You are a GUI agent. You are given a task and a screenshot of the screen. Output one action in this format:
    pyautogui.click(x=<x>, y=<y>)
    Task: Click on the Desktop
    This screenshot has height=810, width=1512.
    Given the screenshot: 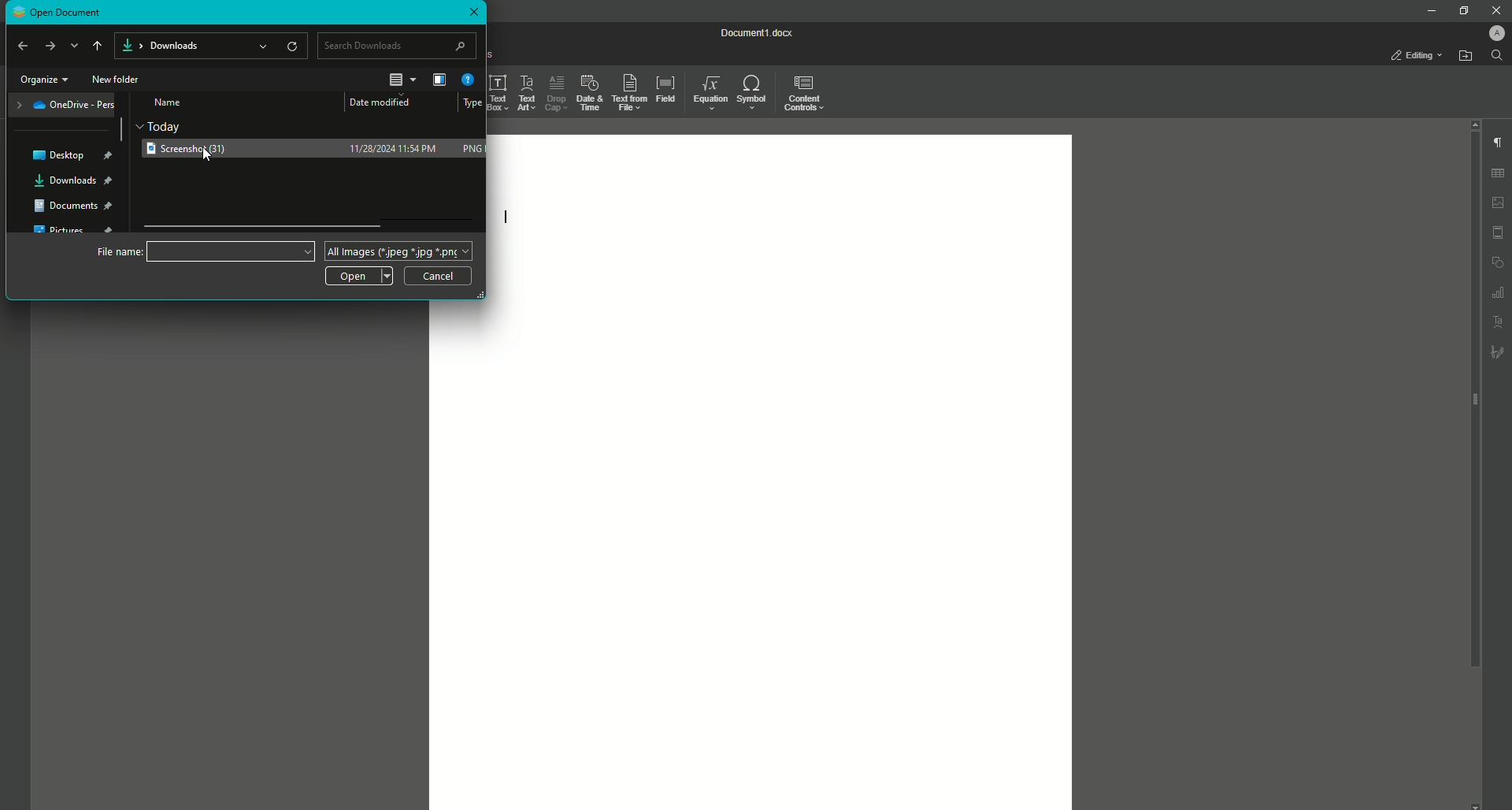 What is the action you would take?
    pyautogui.click(x=72, y=154)
    